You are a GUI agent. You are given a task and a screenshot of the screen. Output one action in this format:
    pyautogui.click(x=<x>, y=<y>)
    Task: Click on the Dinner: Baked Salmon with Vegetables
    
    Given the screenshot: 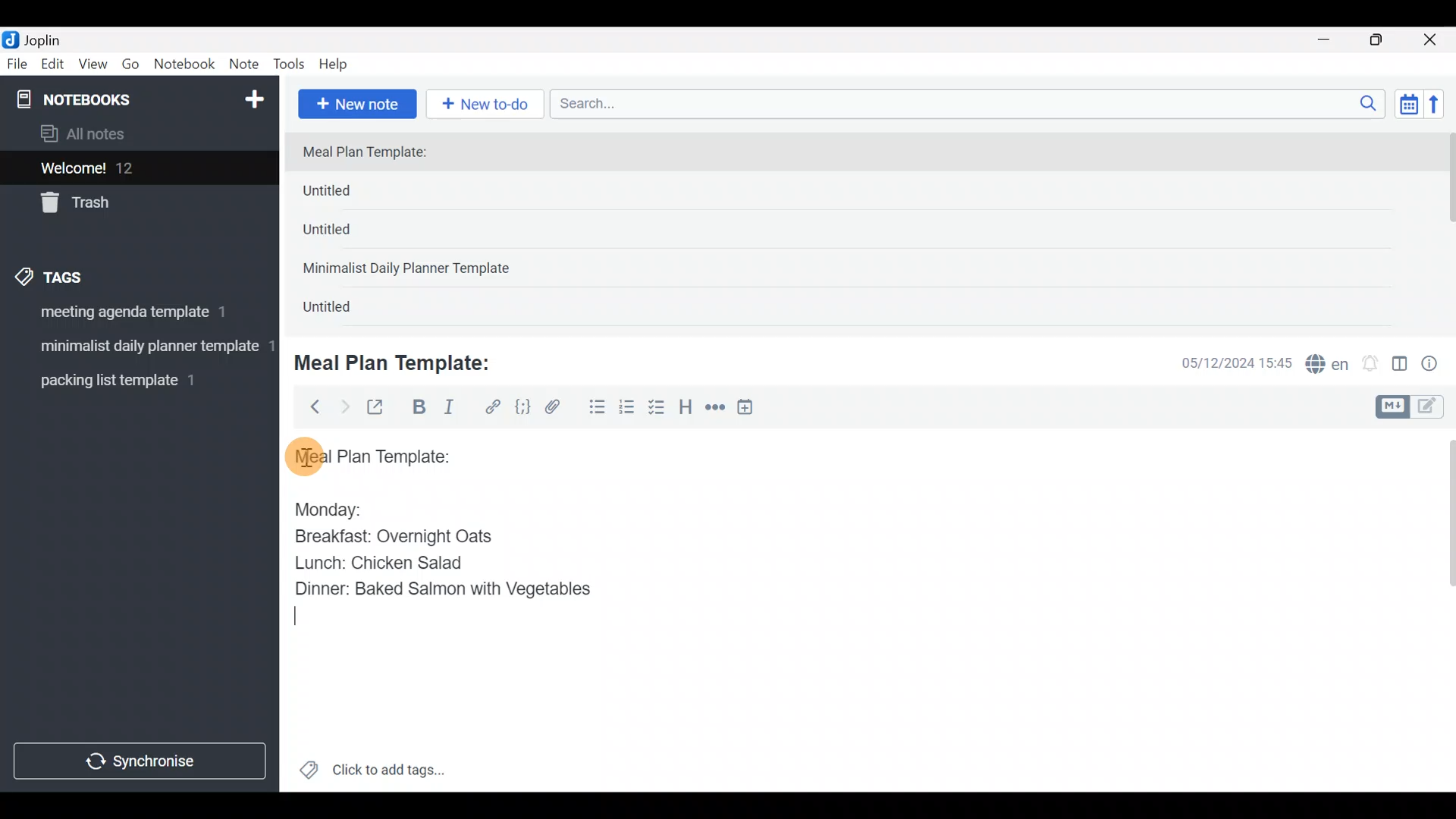 What is the action you would take?
    pyautogui.click(x=439, y=588)
    